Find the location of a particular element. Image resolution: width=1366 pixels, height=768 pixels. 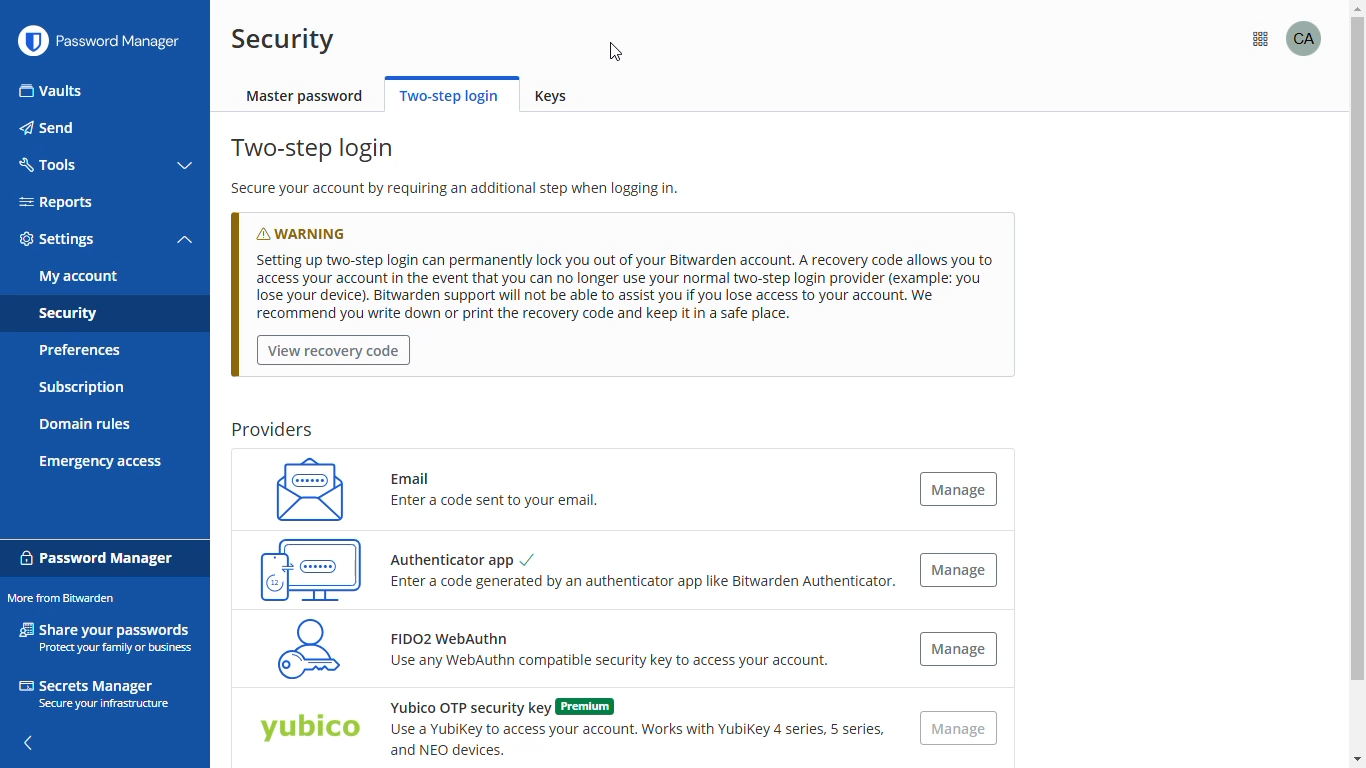

cursor is located at coordinates (616, 52).